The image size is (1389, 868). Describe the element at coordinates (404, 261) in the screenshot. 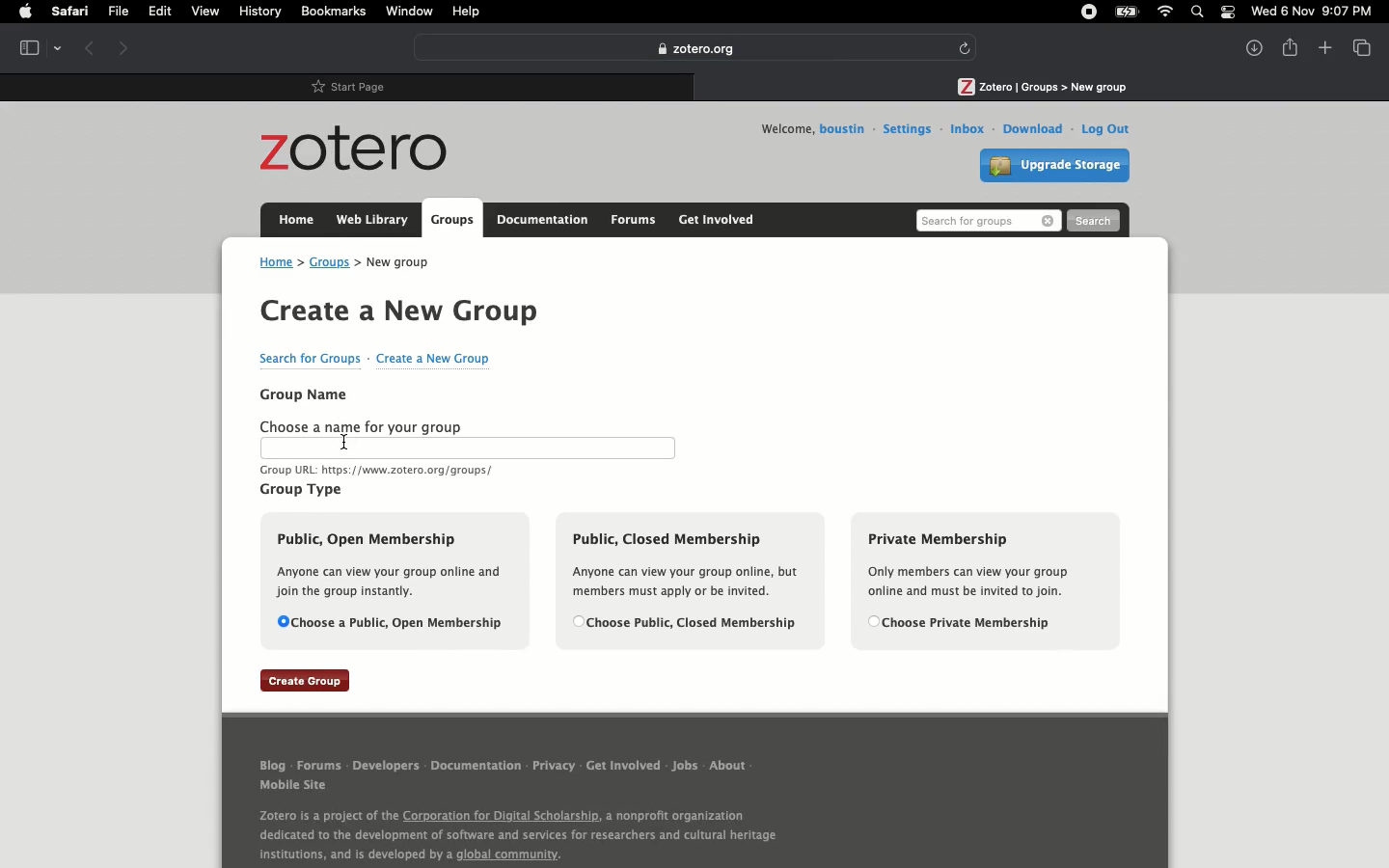

I see `New group` at that location.